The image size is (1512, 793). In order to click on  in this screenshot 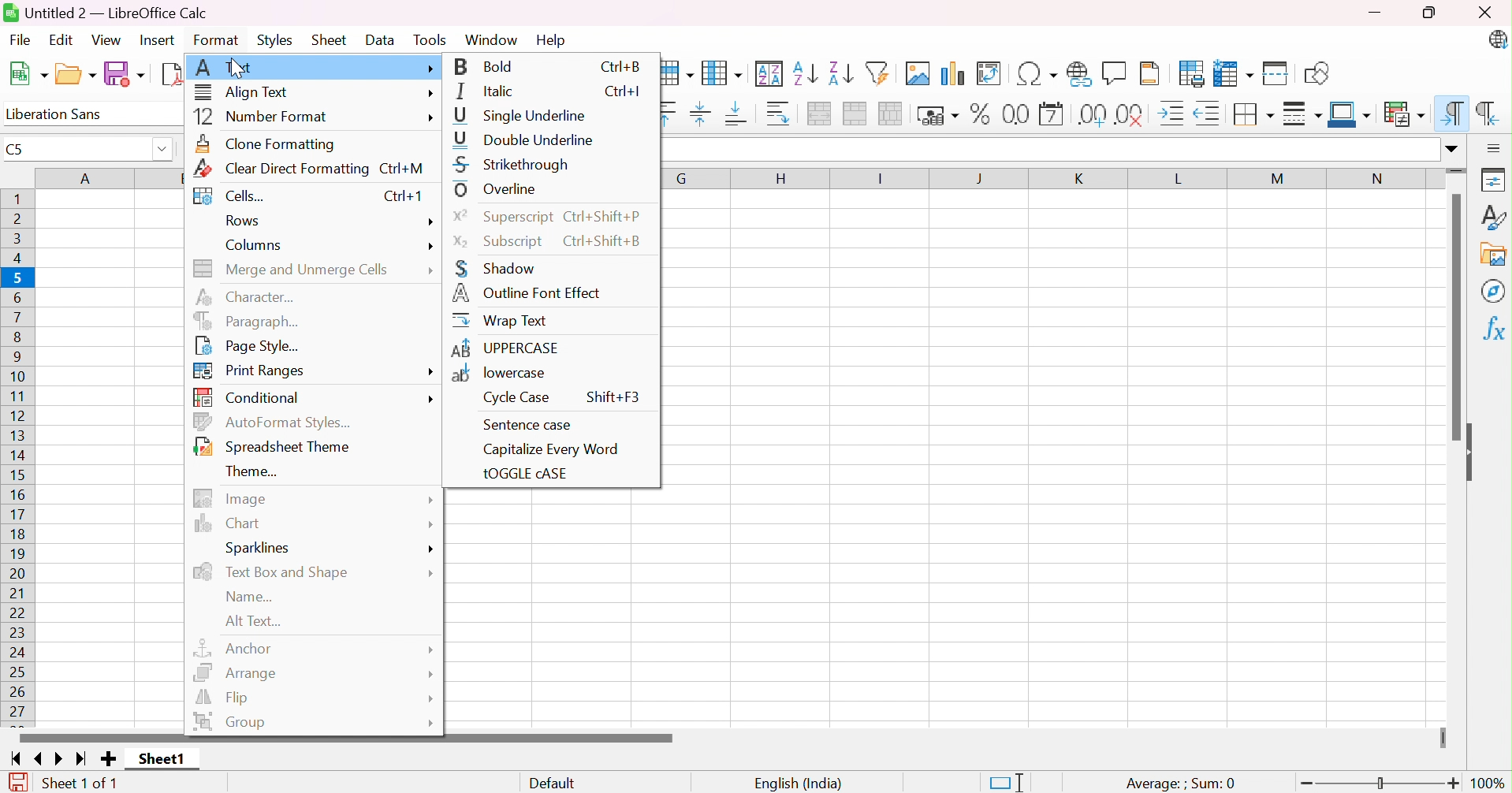, I will do `click(110, 39)`.